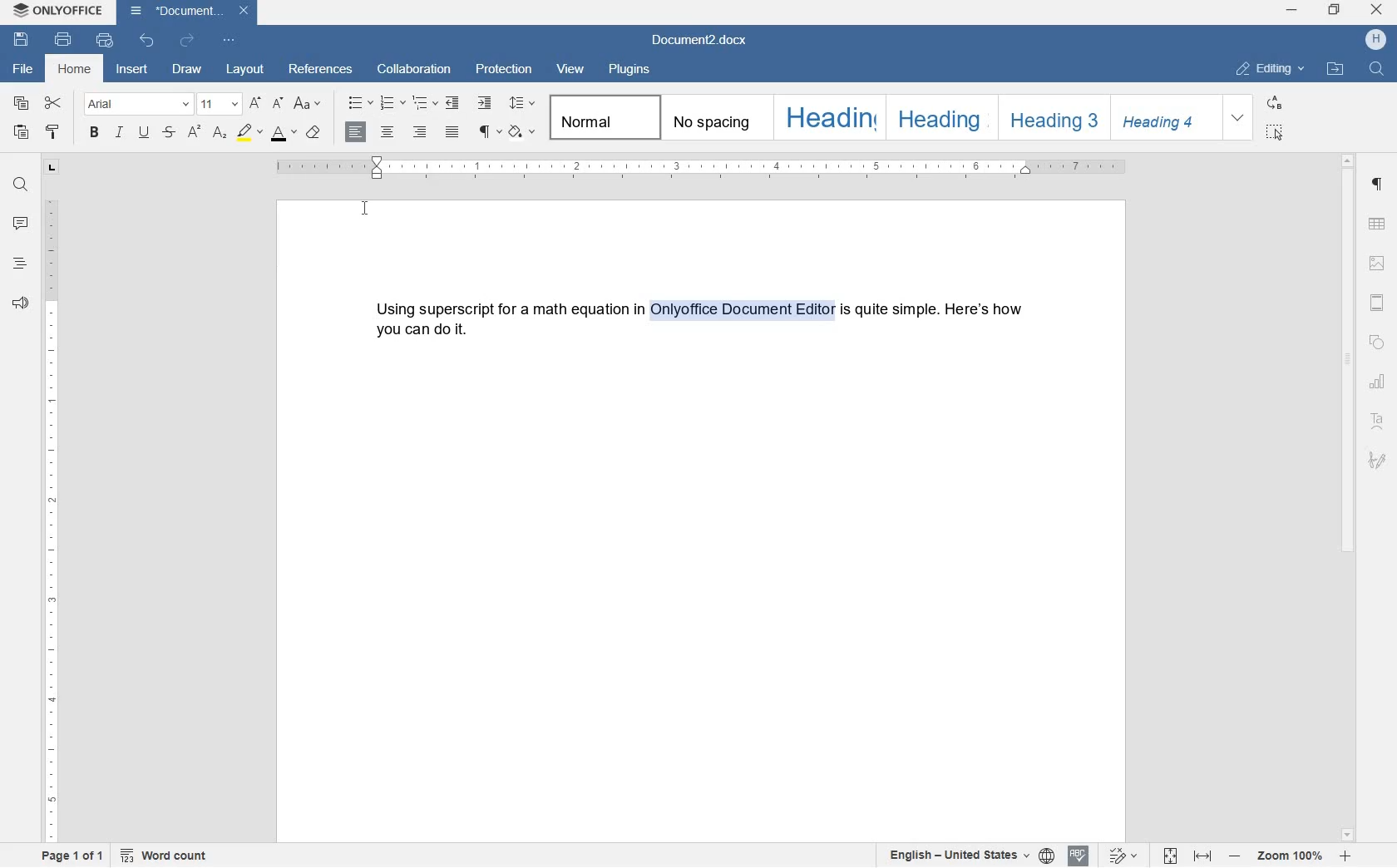  Describe the element at coordinates (1380, 303) in the screenshot. I see `header & footer` at that location.